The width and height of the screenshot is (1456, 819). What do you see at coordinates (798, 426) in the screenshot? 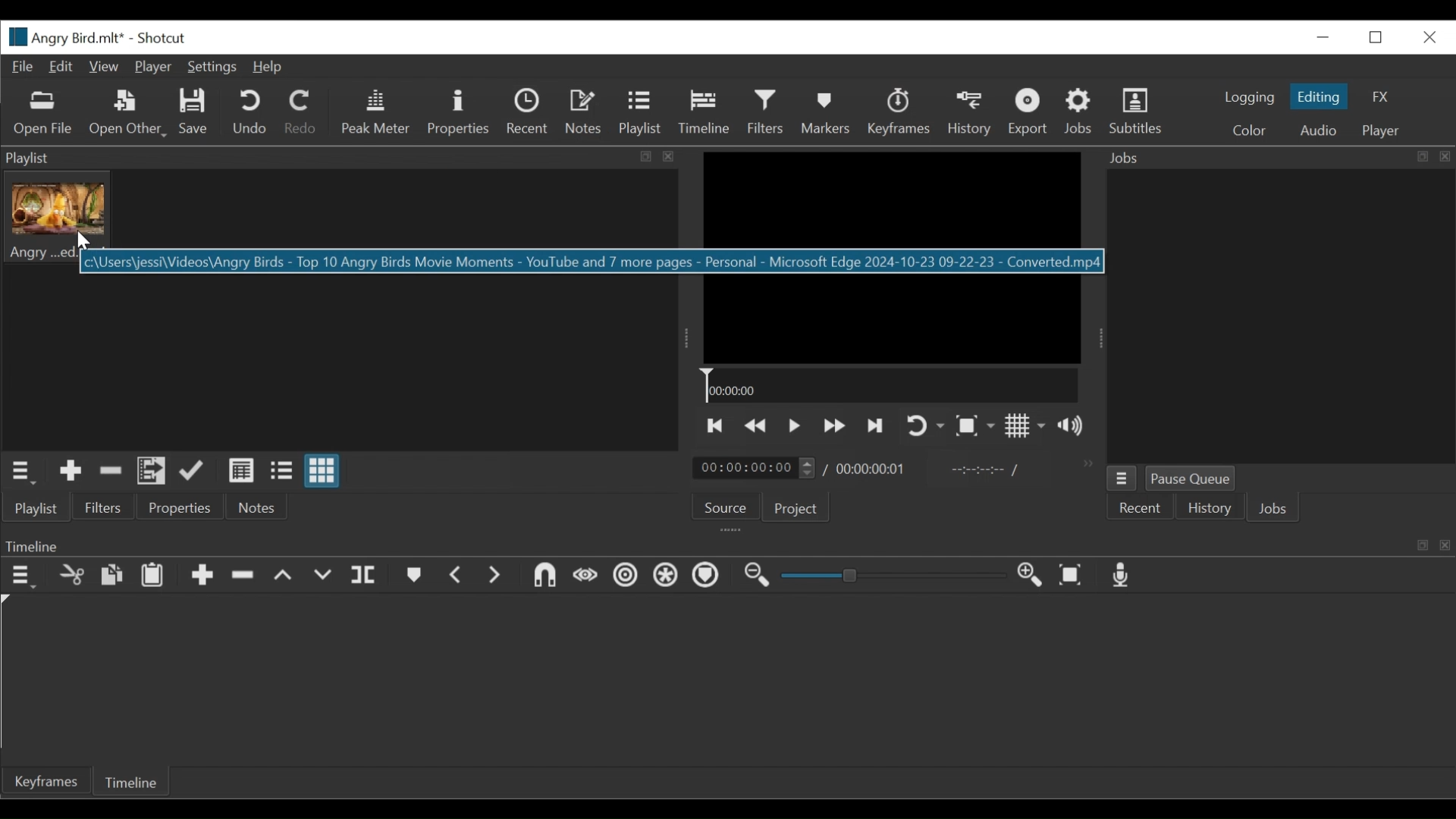
I see `Toggle play or pause` at bounding box center [798, 426].